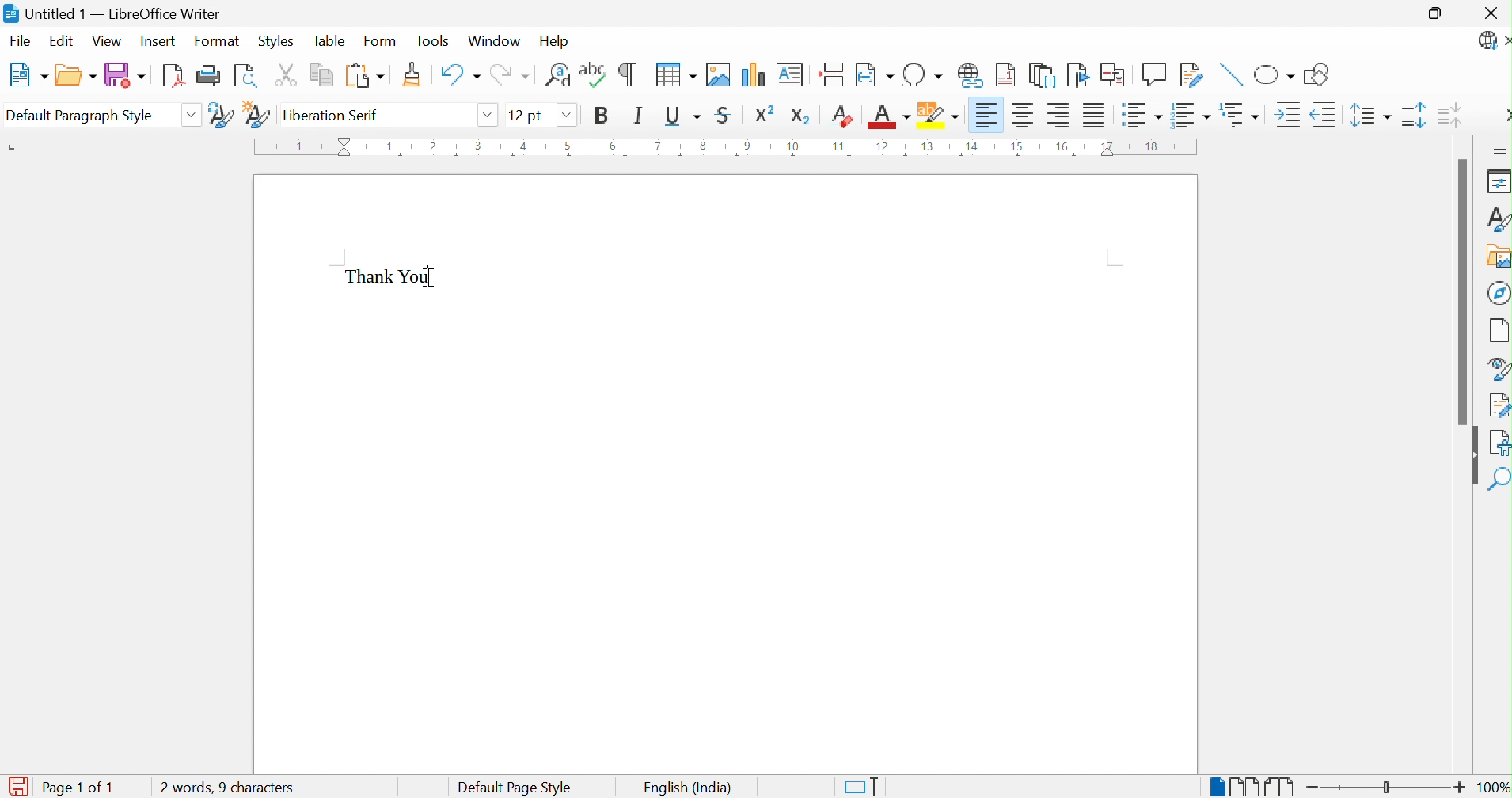 This screenshot has width=1512, height=798. What do you see at coordinates (63, 42) in the screenshot?
I see `Edit` at bounding box center [63, 42].